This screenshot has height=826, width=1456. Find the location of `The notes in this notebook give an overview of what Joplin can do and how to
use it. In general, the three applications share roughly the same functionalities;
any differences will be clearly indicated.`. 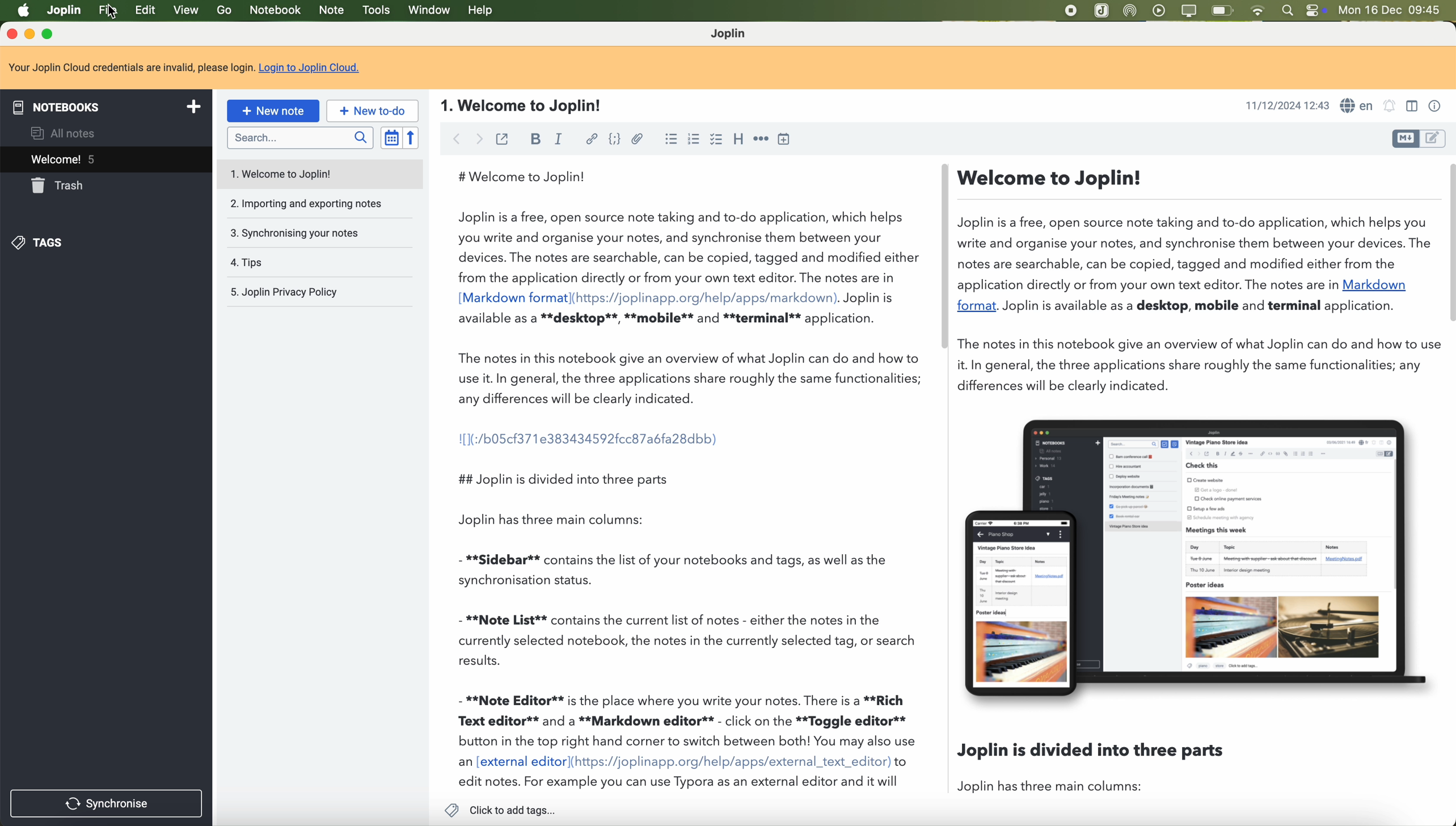

The notes in this notebook give an overview of what Joplin can do and how to
use it. In general, the three applications share roughly the same functionalities;
any differences will be clearly indicated. is located at coordinates (692, 378).